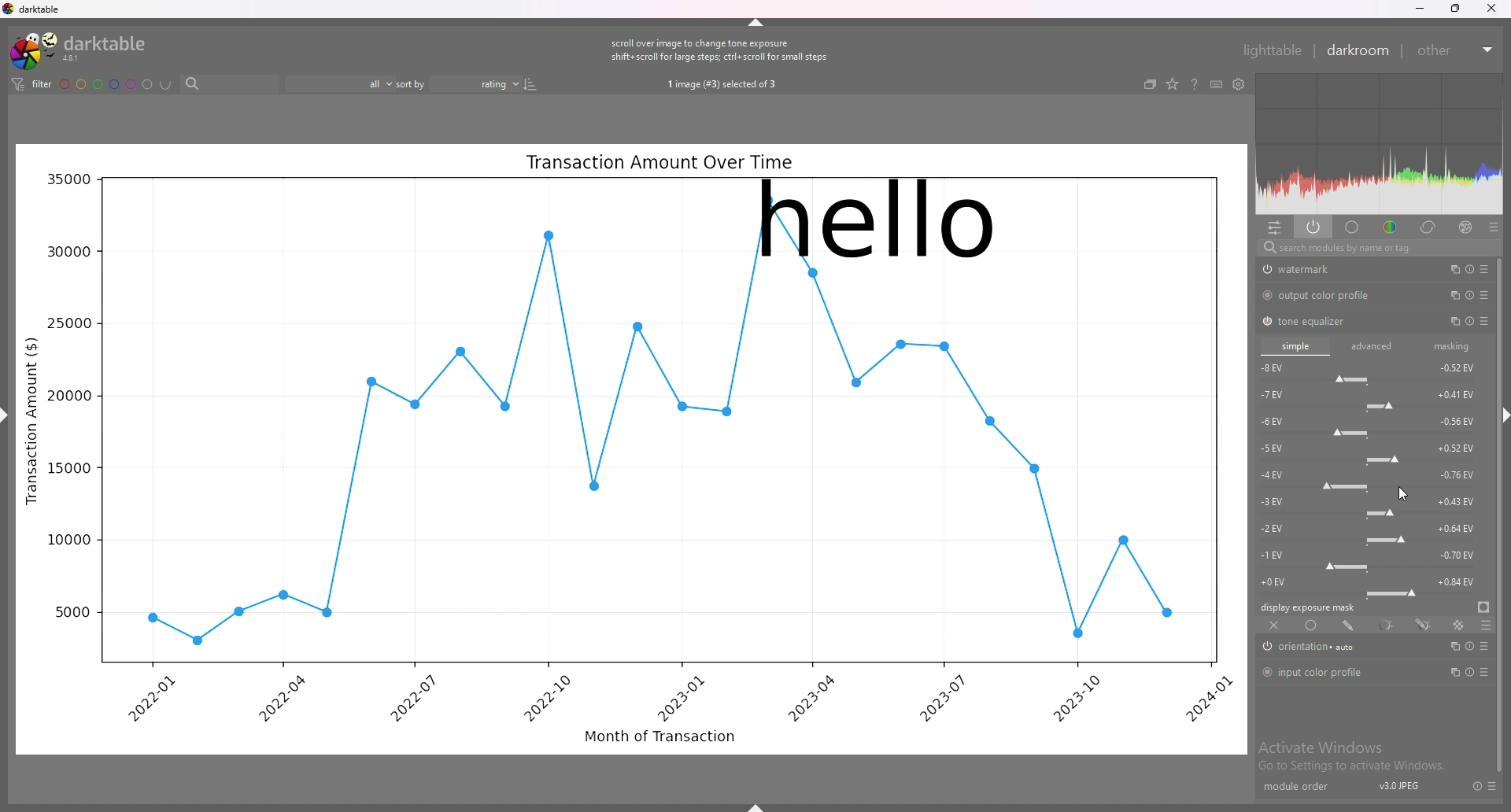  Describe the element at coordinates (811, 697) in the screenshot. I see `2023-04` at that location.